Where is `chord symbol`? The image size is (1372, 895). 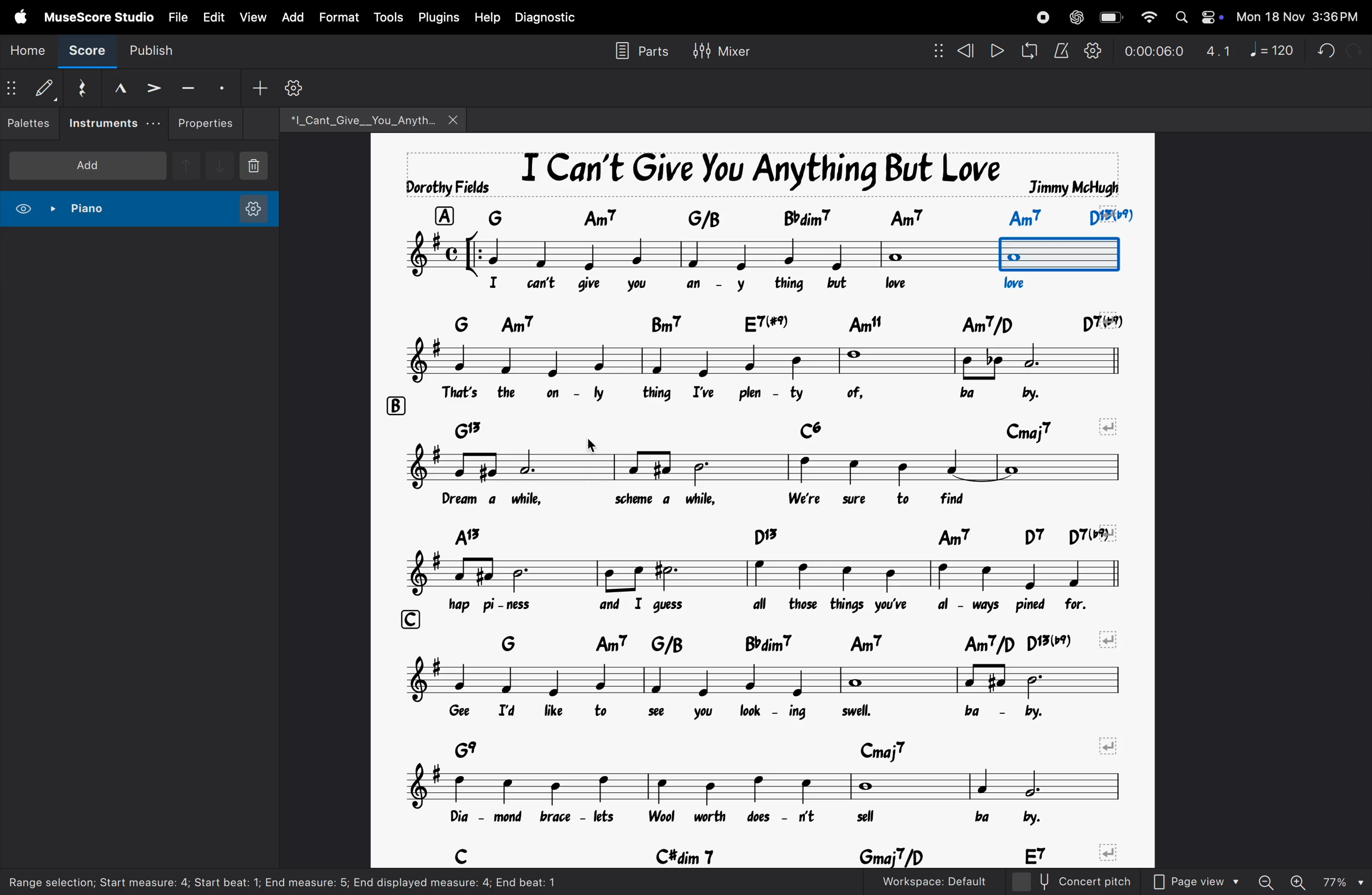
chord symbol is located at coordinates (813, 216).